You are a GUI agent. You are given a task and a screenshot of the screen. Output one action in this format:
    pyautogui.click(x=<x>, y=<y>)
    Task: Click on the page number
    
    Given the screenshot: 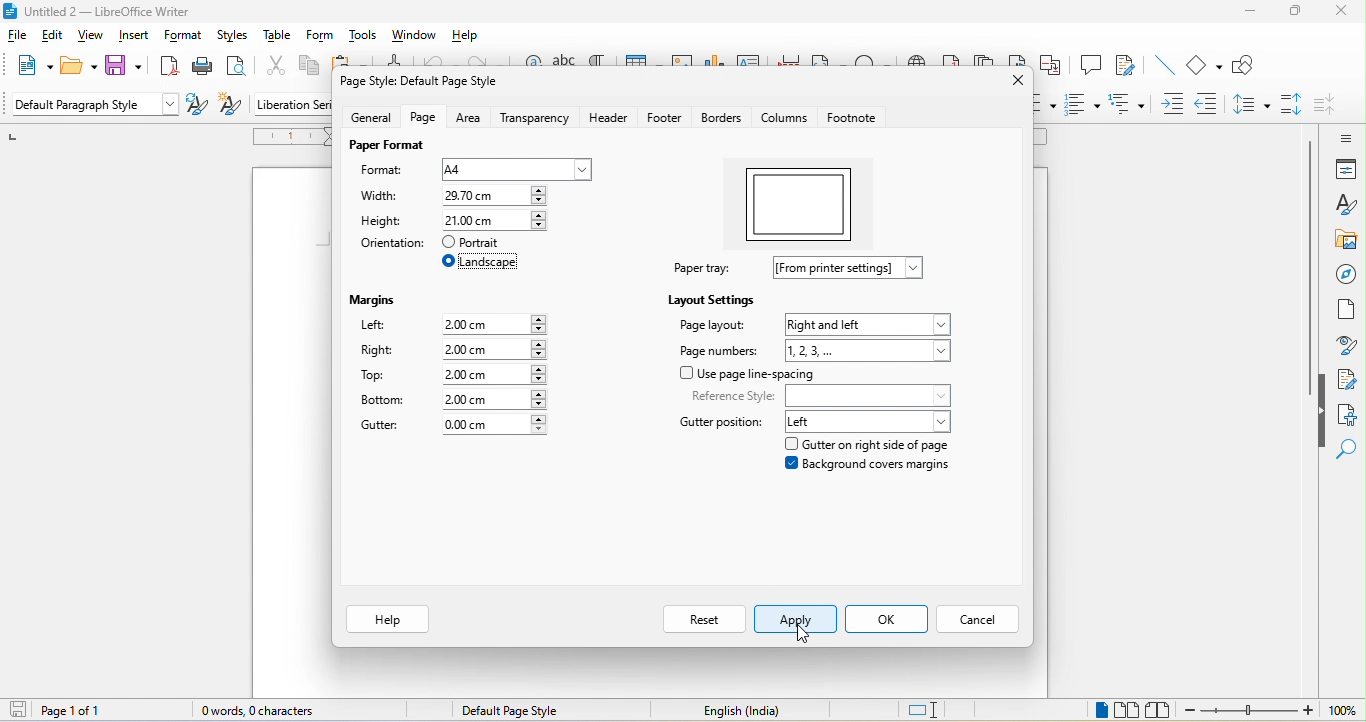 What is the action you would take?
    pyautogui.click(x=720, y=350)
    